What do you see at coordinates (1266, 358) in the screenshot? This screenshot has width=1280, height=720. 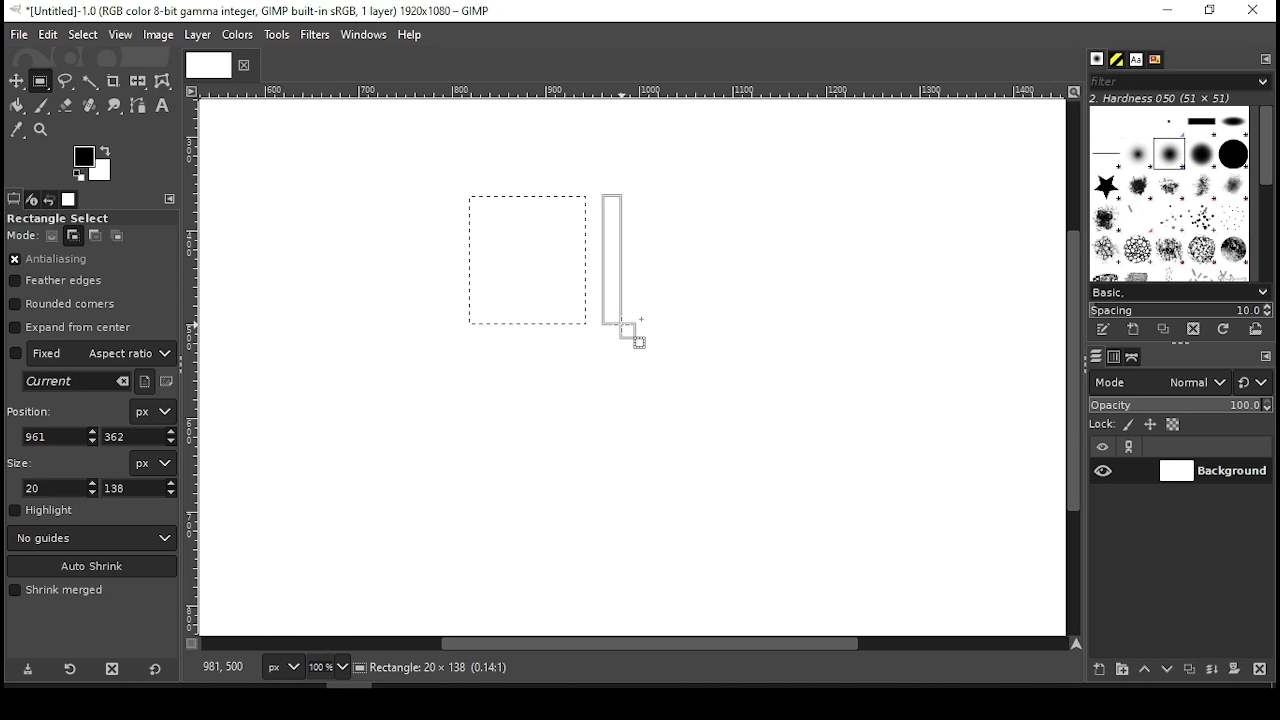 I see `configure this tab` at bounding box center [1266, 358].